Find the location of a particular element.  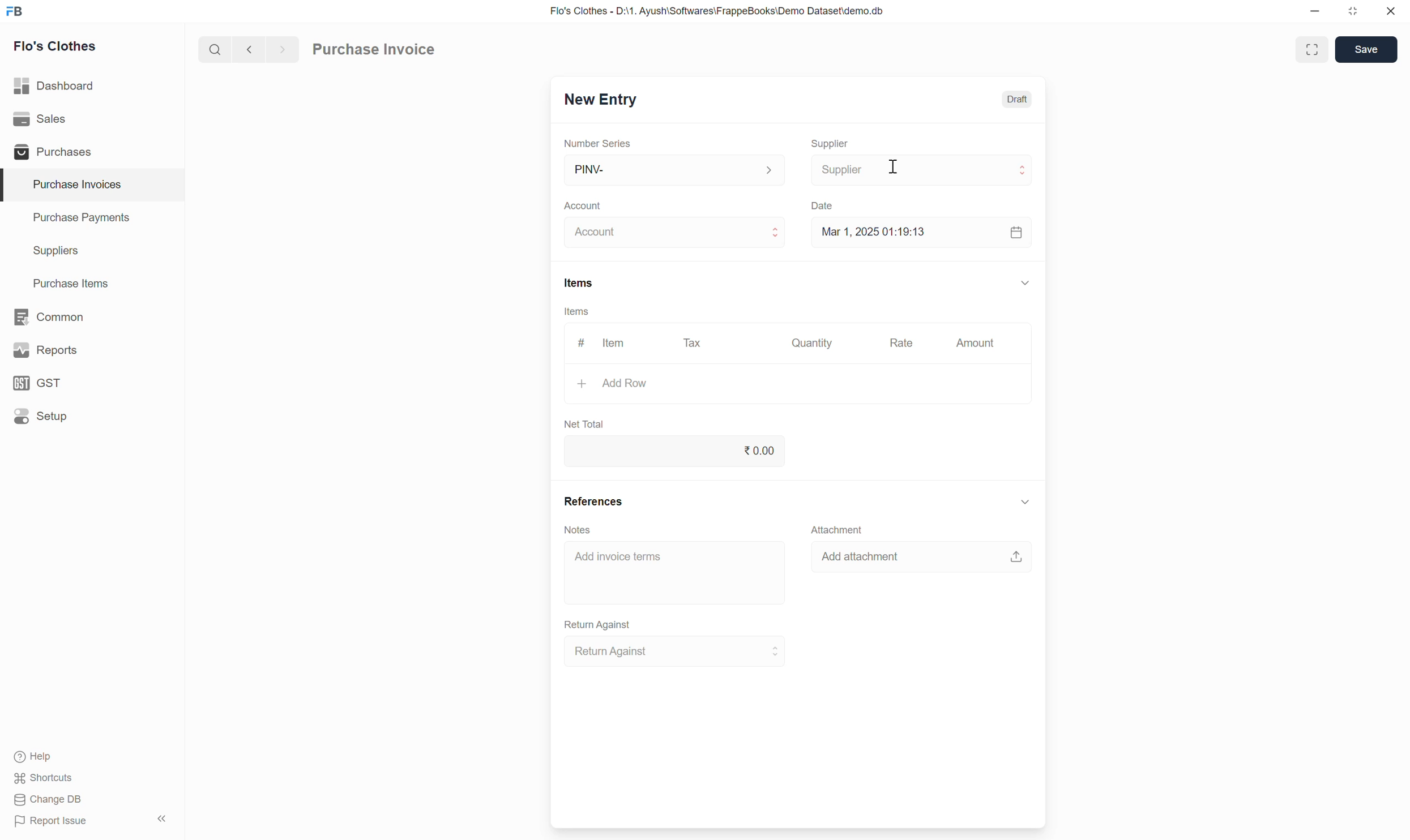

GST is located at coordinates (42, 383).